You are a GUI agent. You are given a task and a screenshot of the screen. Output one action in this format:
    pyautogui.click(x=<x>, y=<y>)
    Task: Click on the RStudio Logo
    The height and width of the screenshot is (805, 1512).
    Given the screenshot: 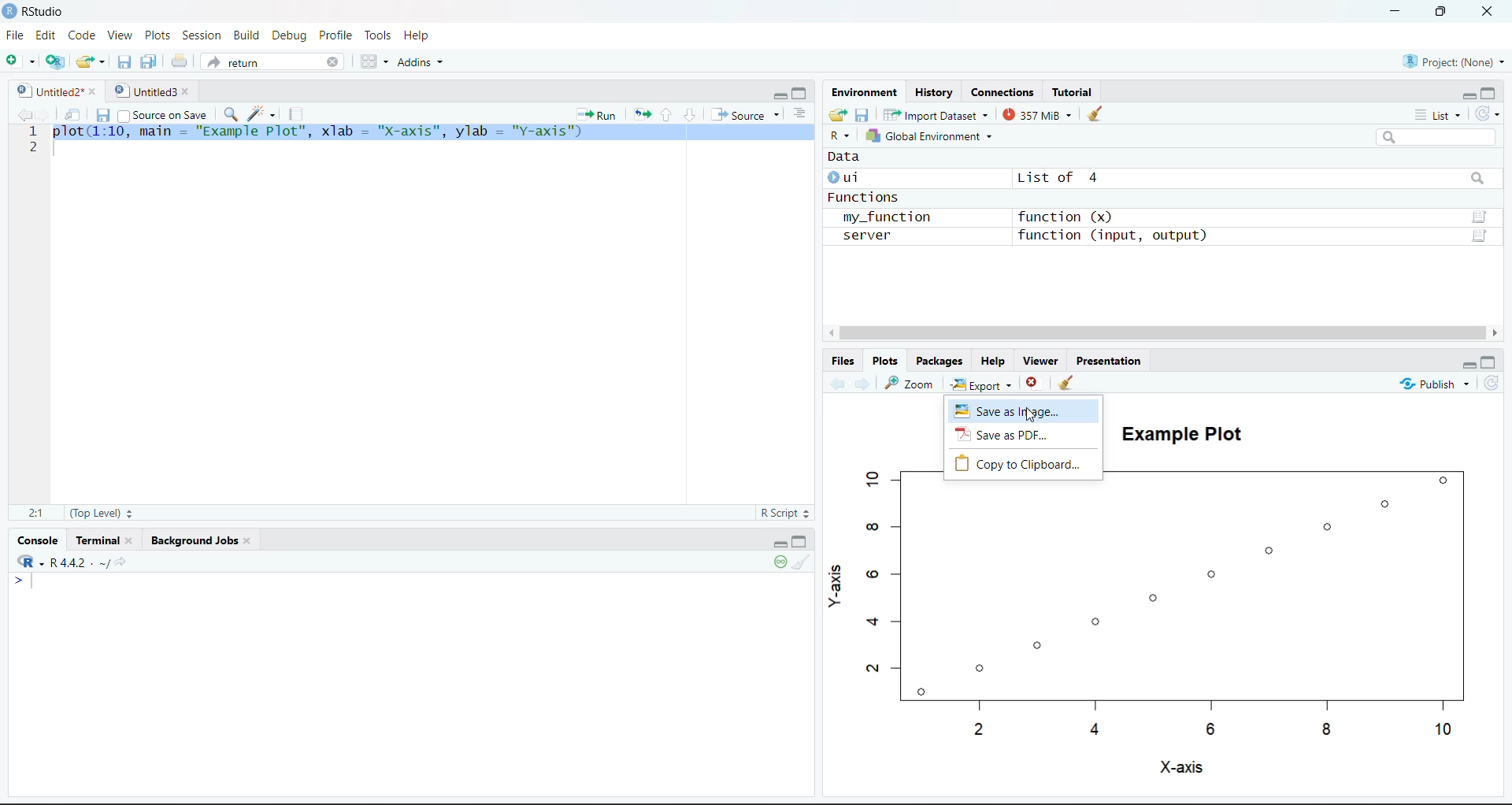 What is the action you would take?
    pyautogui.click(x=24, y=559)
    